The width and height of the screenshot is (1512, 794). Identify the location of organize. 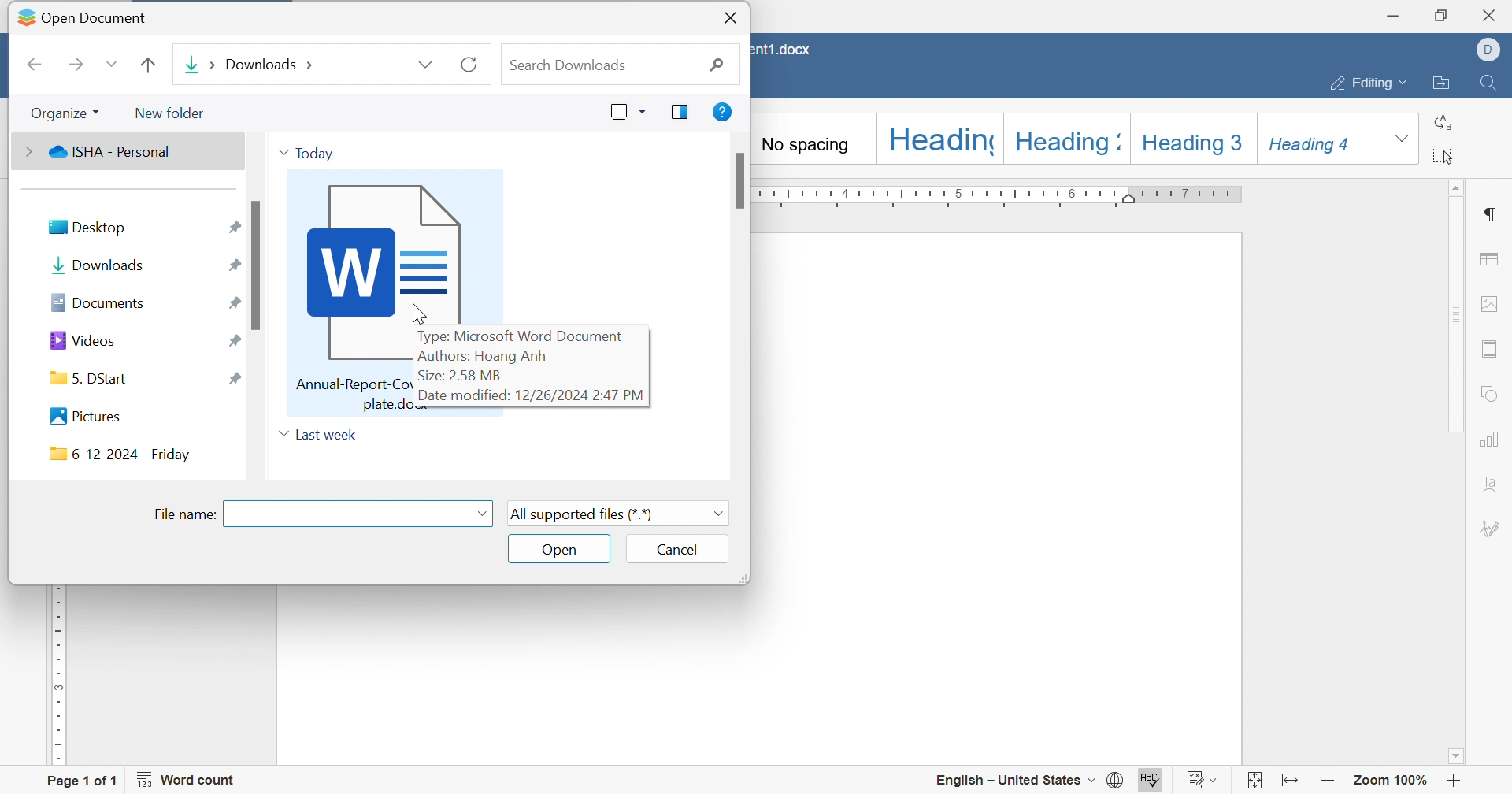
(65, 114).